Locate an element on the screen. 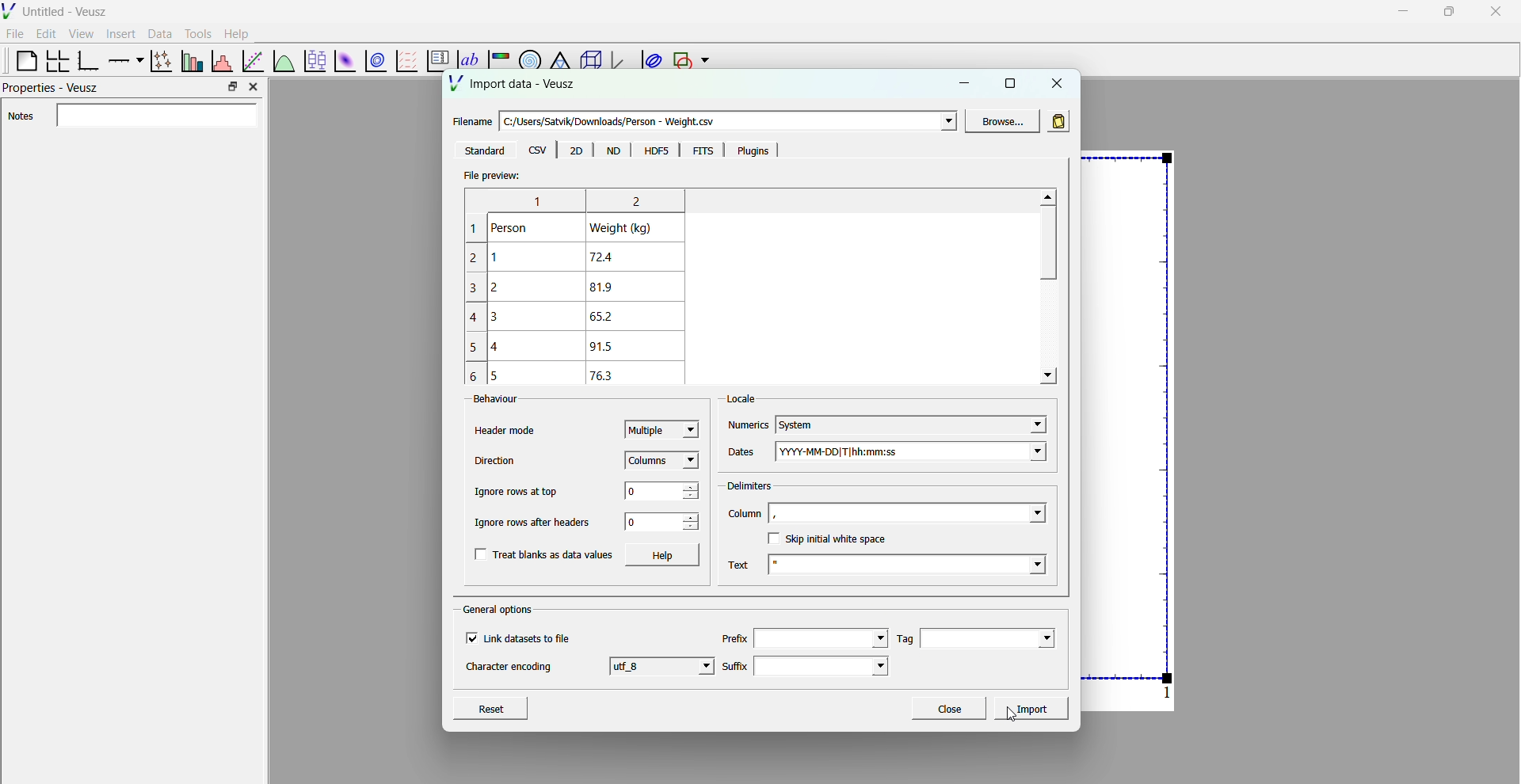  Text is located at coordinates (742, 561).